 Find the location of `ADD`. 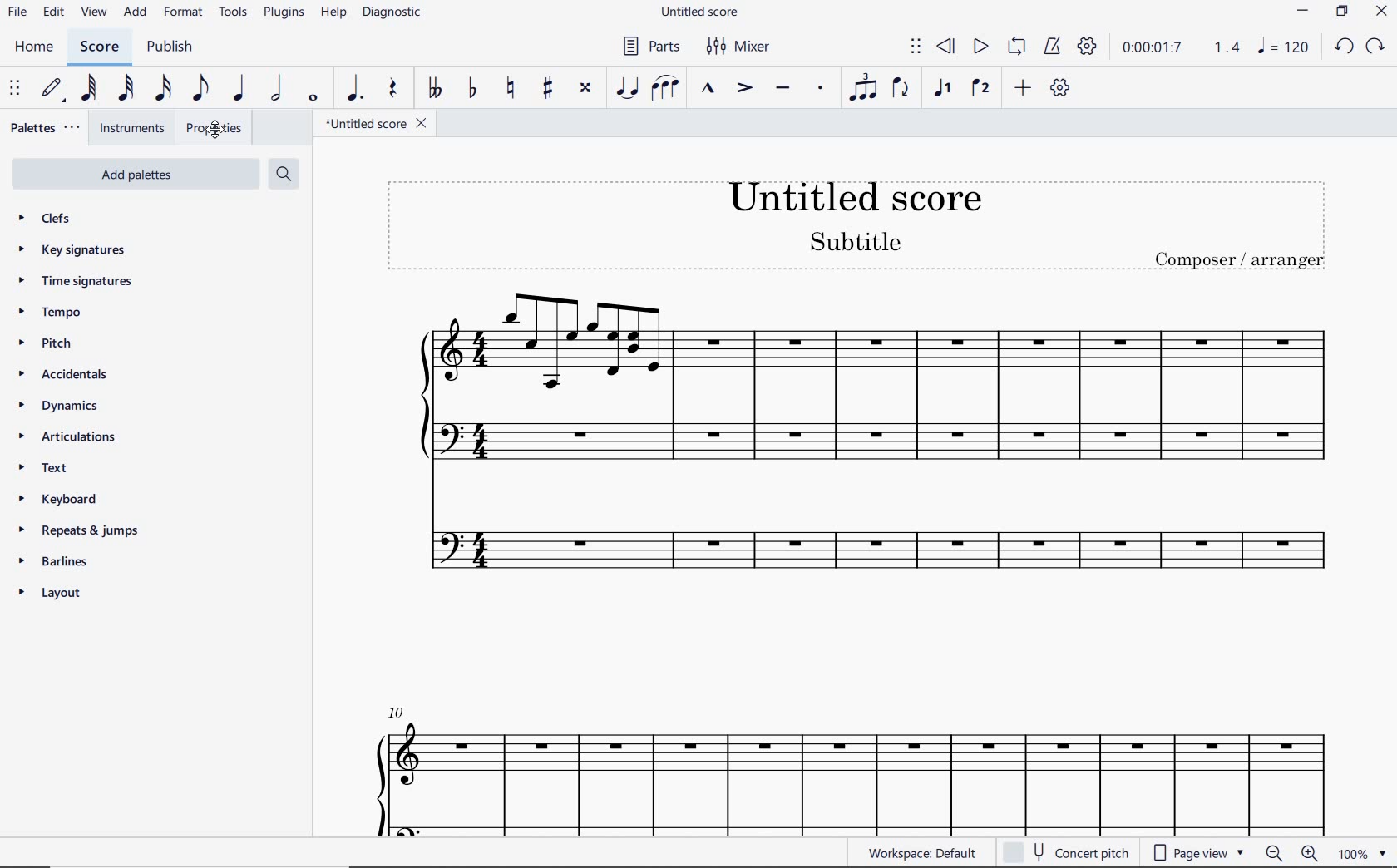

ADD is located at coordinates (137, 12).